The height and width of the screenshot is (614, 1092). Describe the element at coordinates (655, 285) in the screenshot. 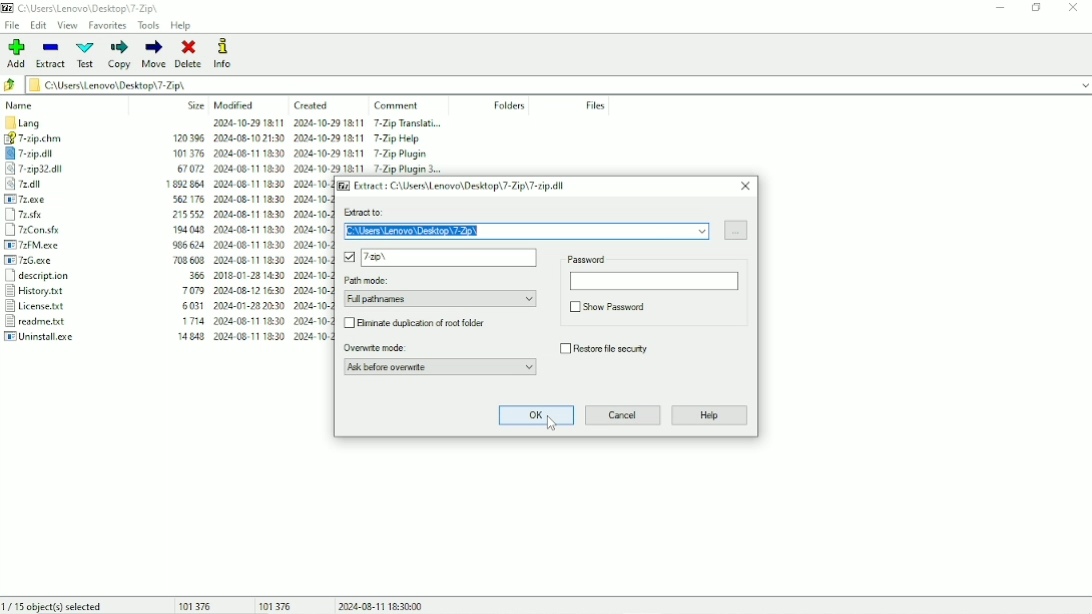

I see `Password` at that location.